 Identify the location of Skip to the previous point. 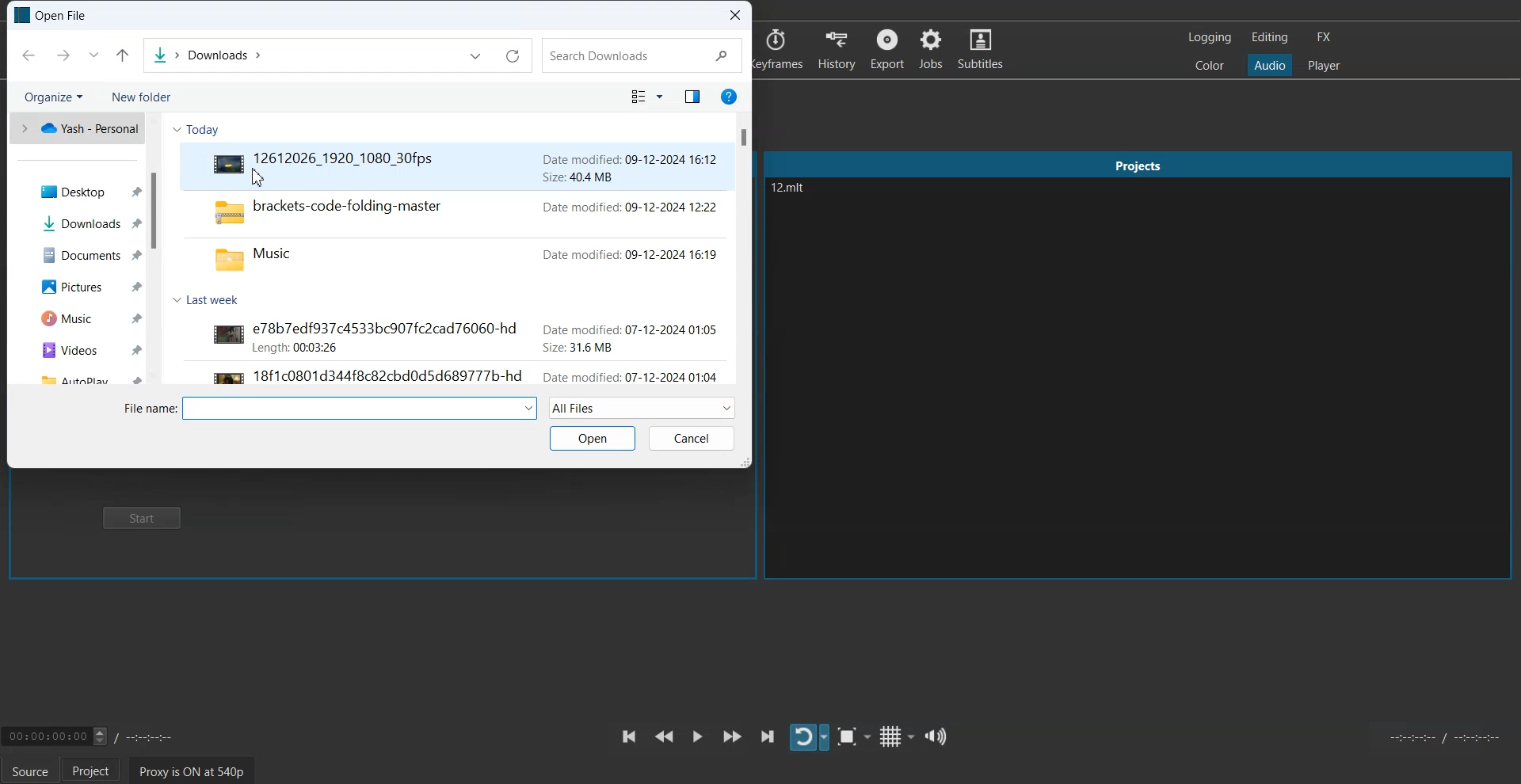
(627, 736).